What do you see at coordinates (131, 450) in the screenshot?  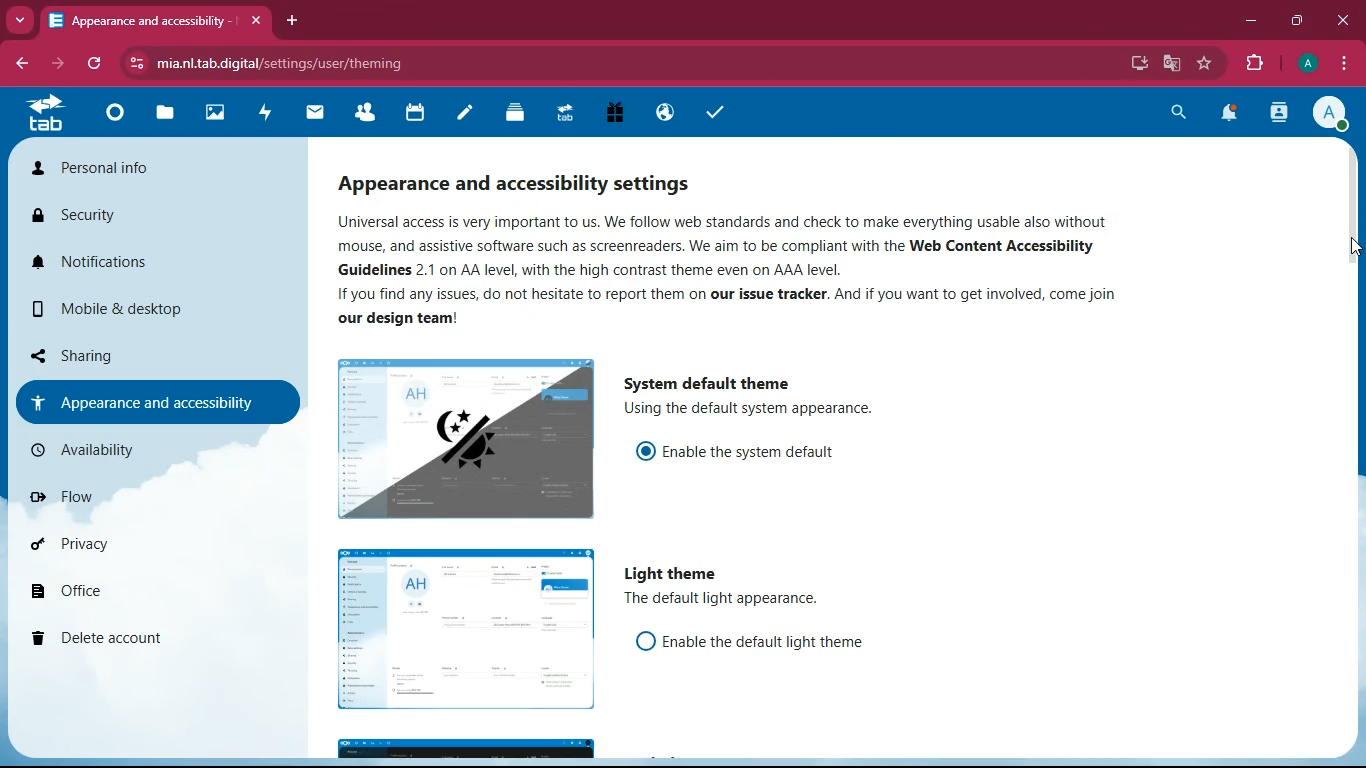 I see `availiability` at bounding box center [131, 450].